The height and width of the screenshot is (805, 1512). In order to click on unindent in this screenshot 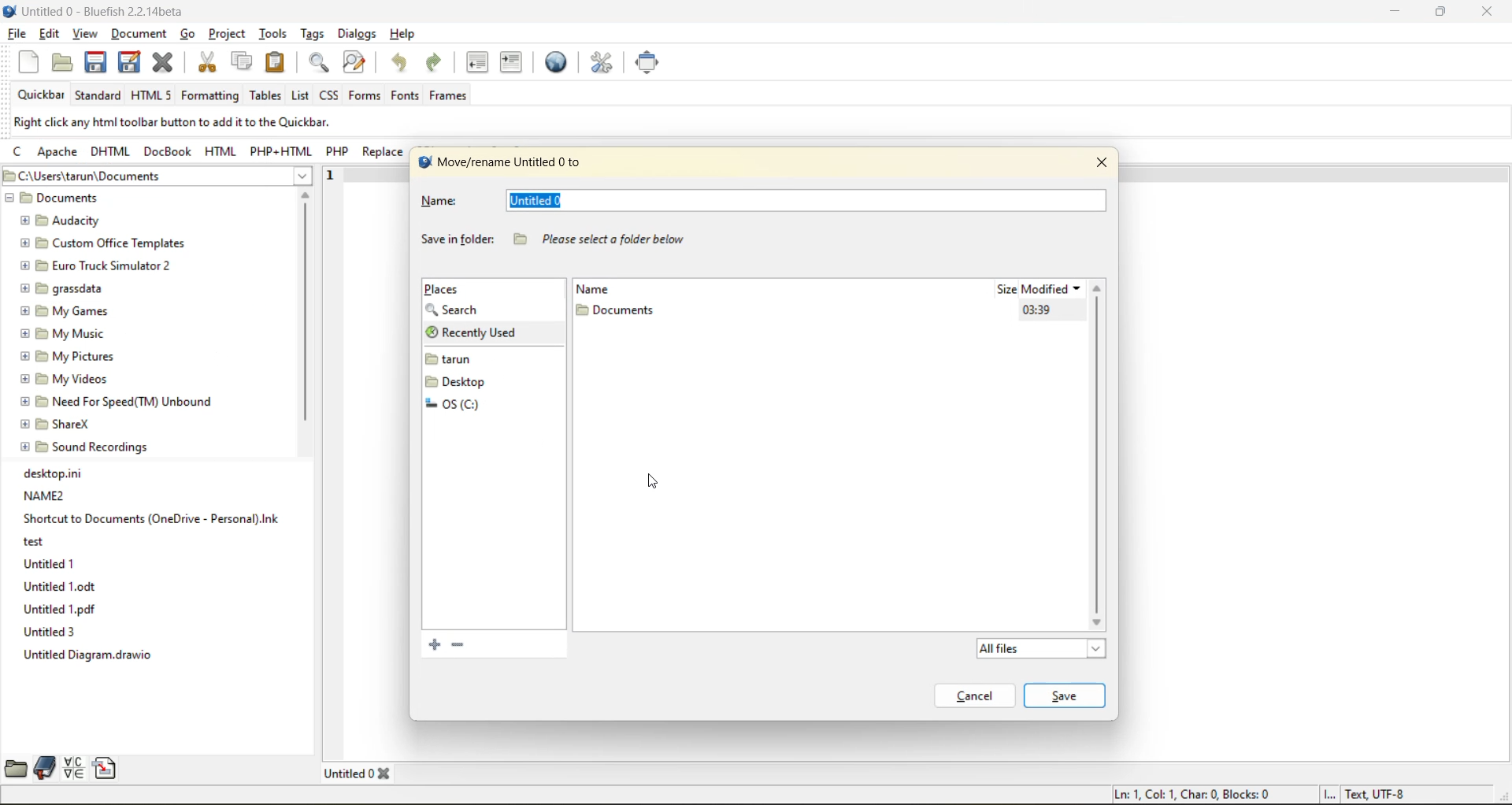, I will do `click(480, 62)`.